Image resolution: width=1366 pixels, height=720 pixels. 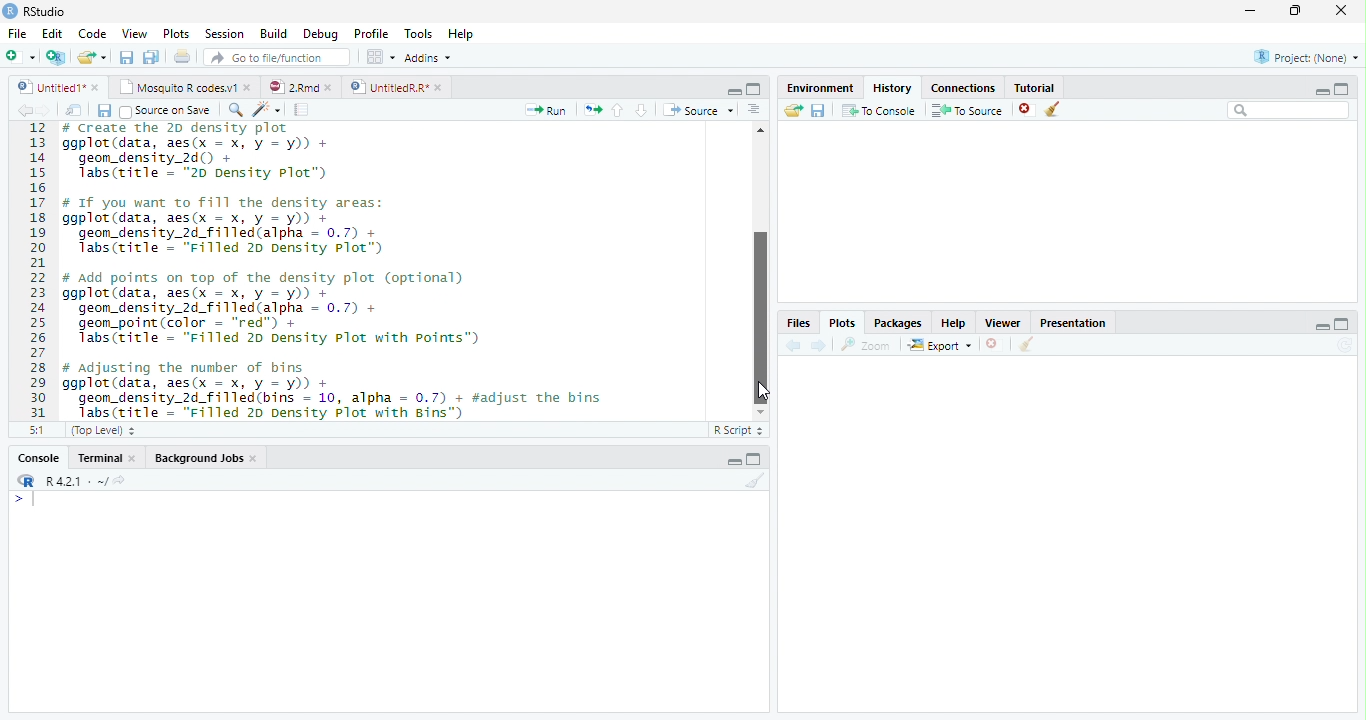 I want to click on code tool, so click(x=267, y=110).